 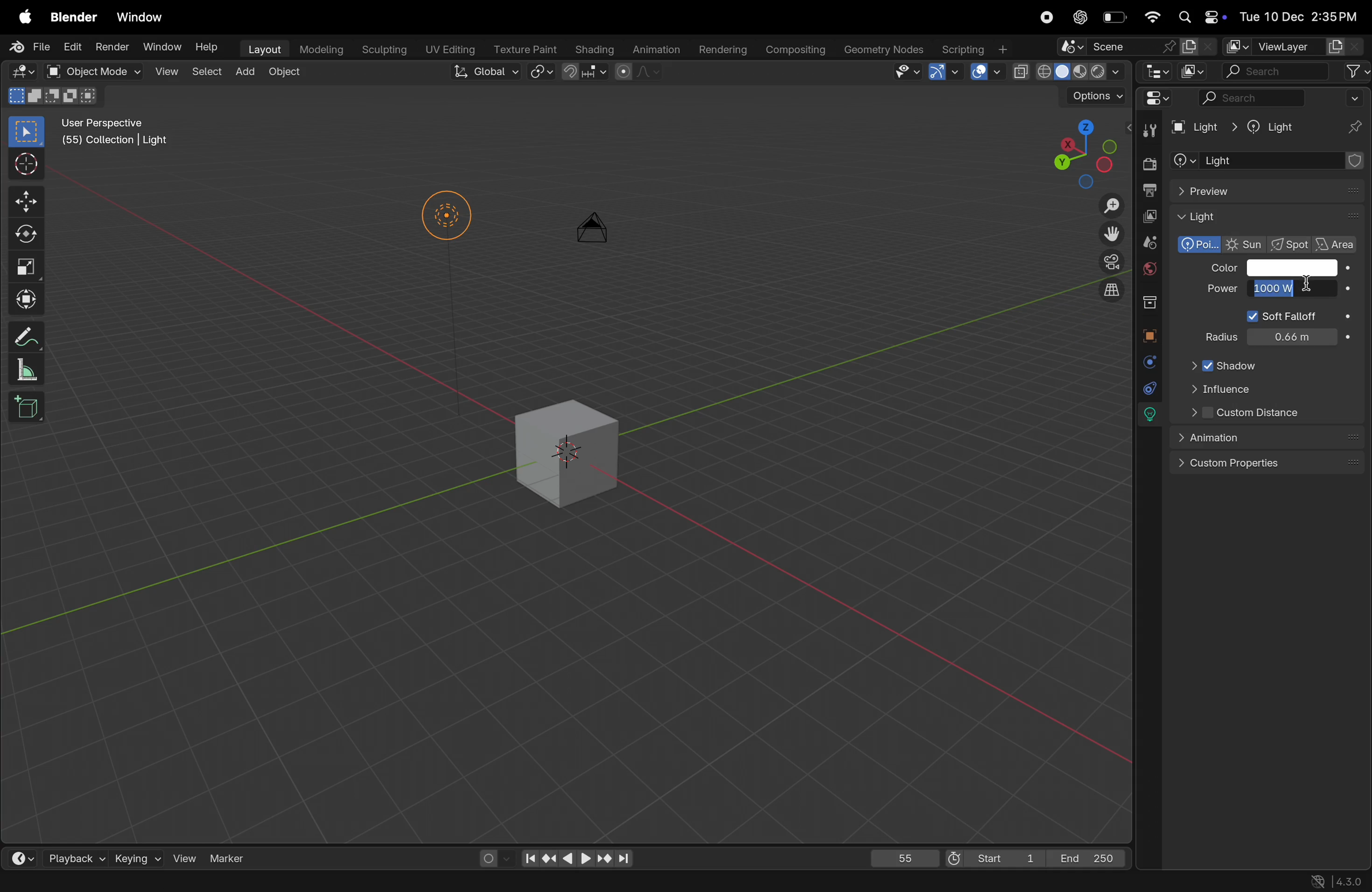 What do you see at coordinates (993, 856) in the screenshot?
I see `Start 1` at bounding box center [993, 856].